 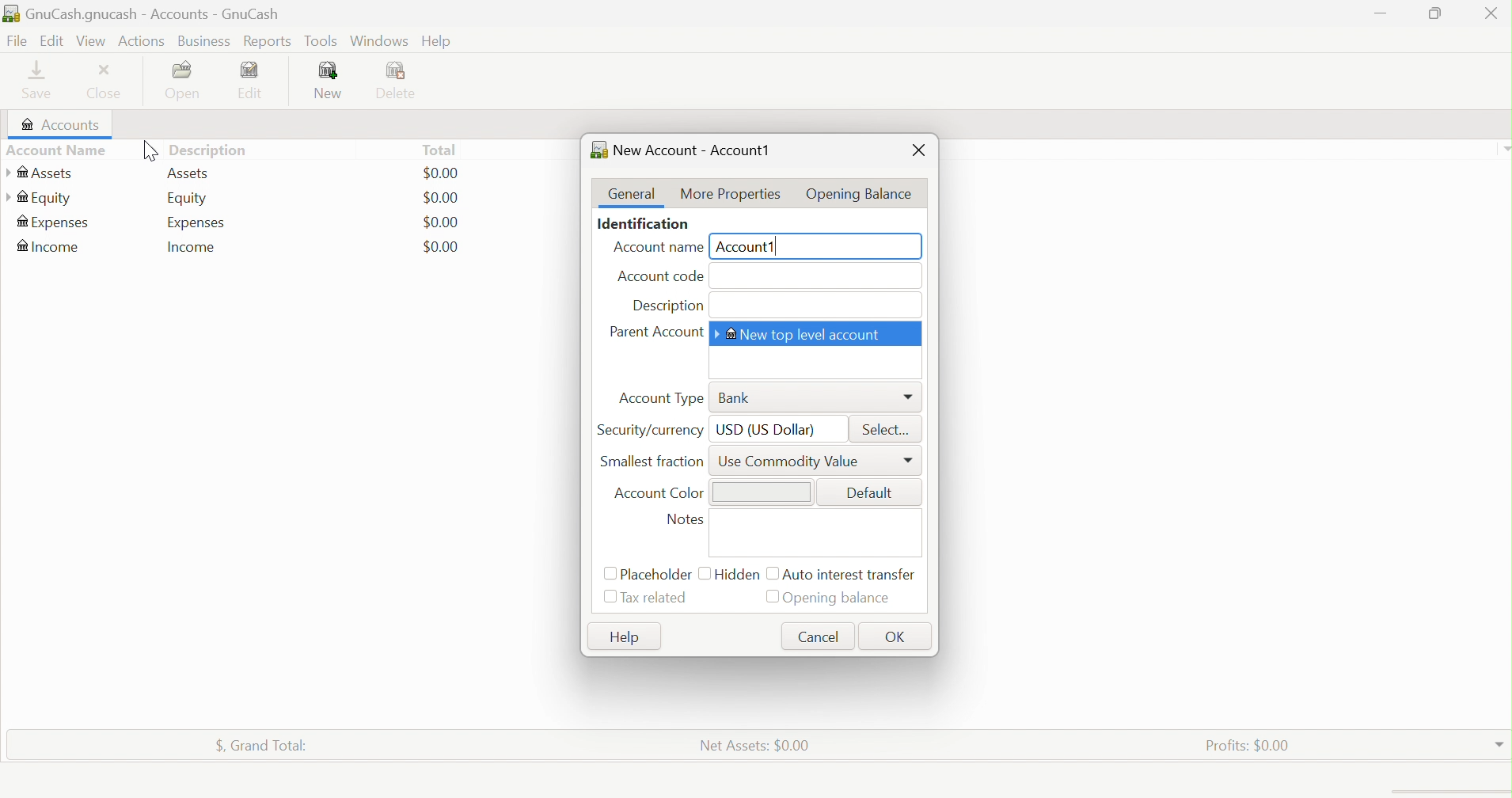 What do you see at coordinates (216, 150) in the screenshot?
I see `Description` at bounding box center [216, 150].